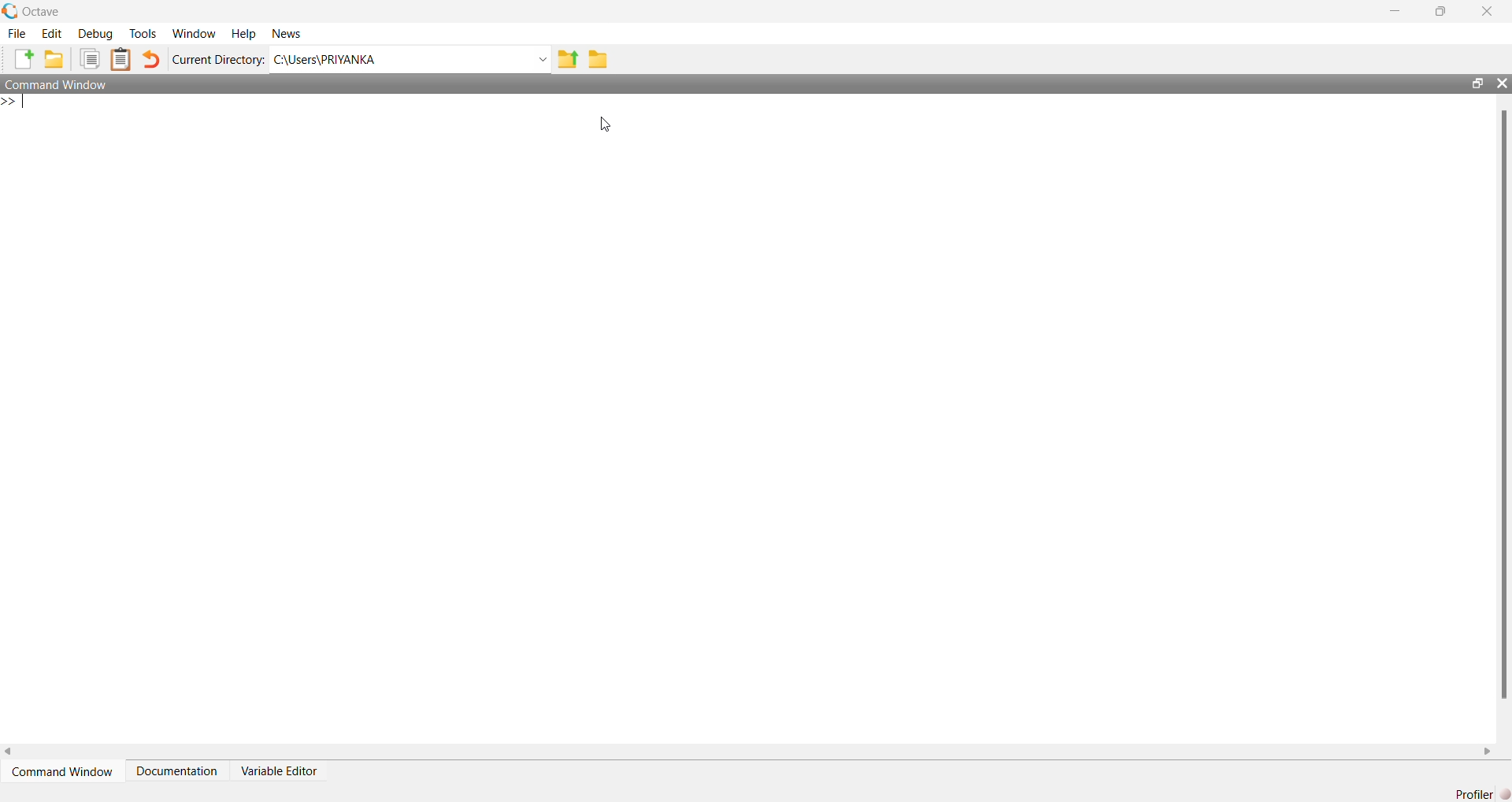 Image resolution: width=1512 pixels, height=802 pixels. I want to click on clipboard, so click(90, 58).